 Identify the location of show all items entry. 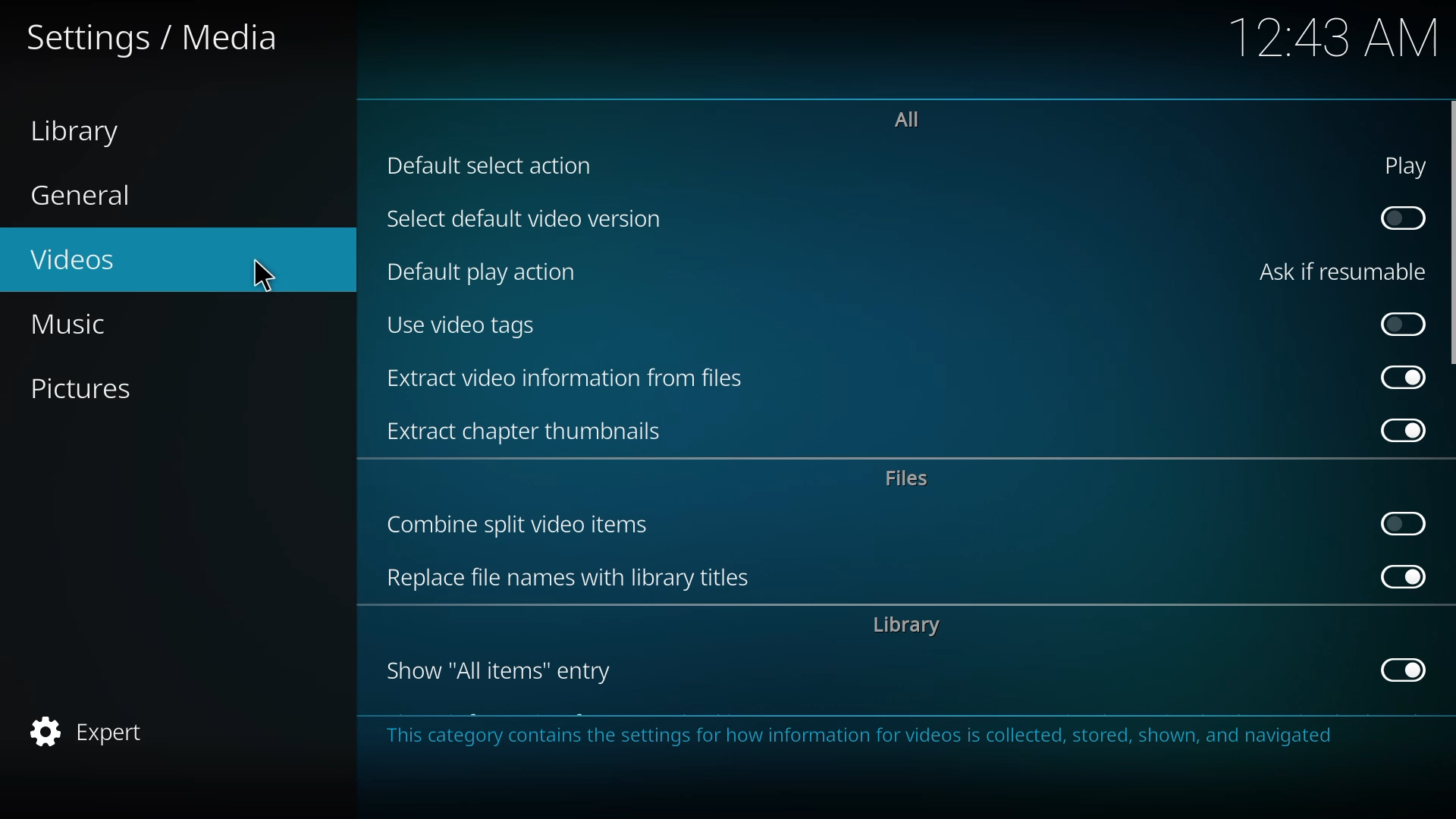
(507, 670).